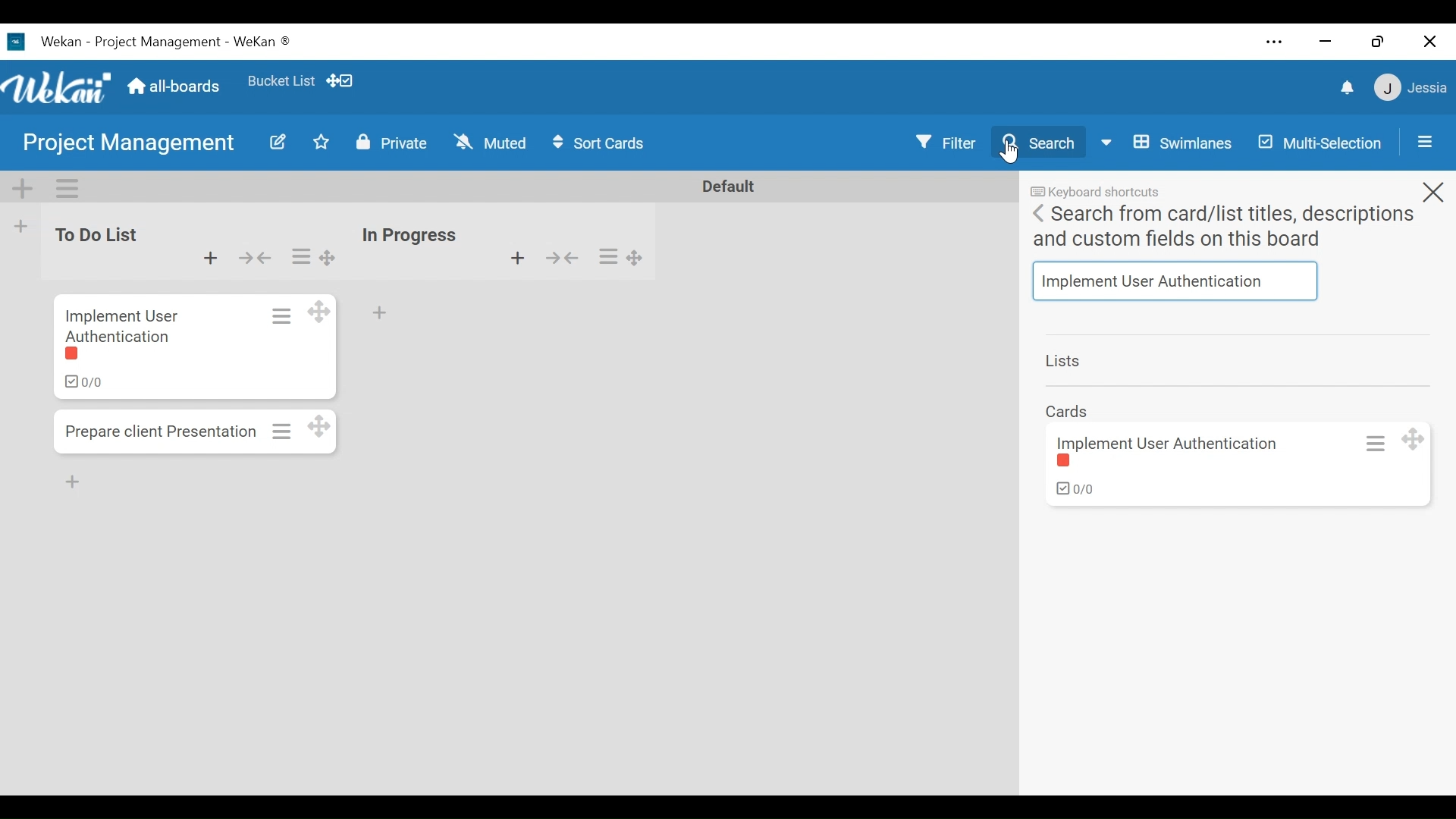 Image resolution: width=1456 pixels, height=819 pixels. Describe the element at coordinates (563, 260) in the screenshot. I see `collapse` at that location.